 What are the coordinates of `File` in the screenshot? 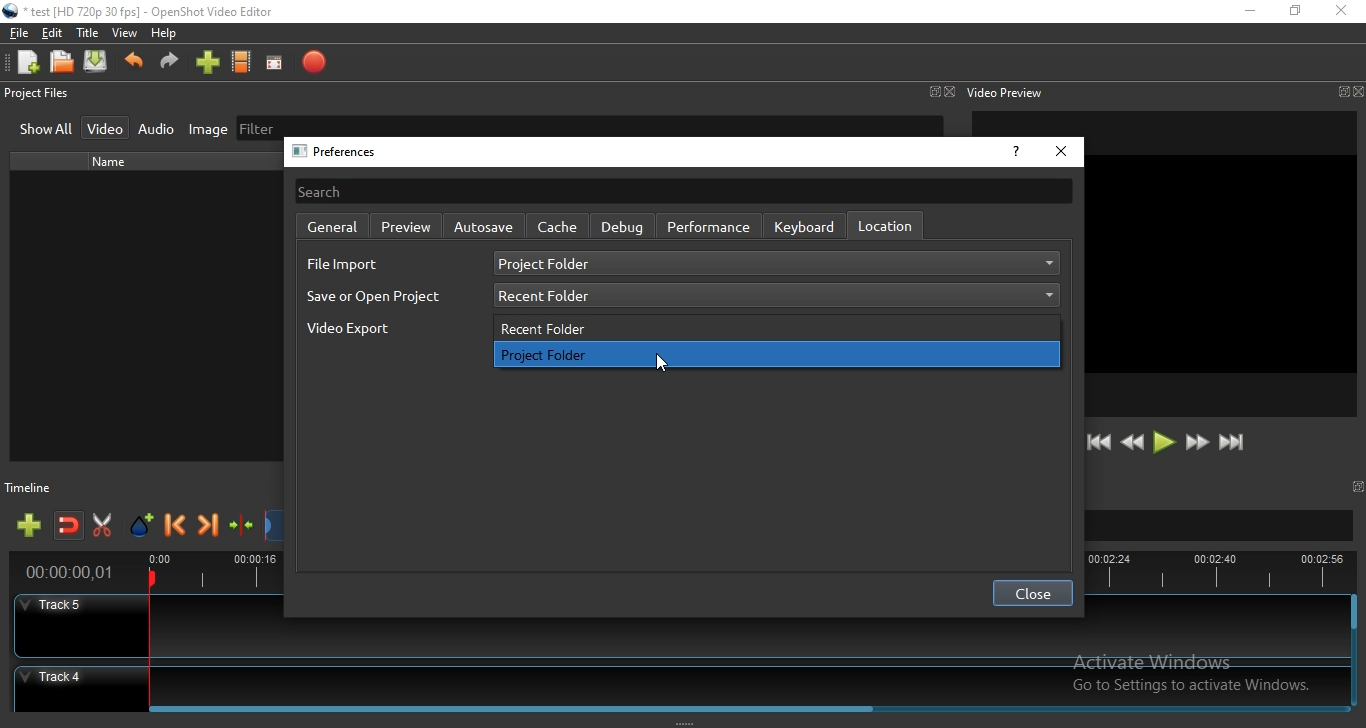 It's located at (16, 33).